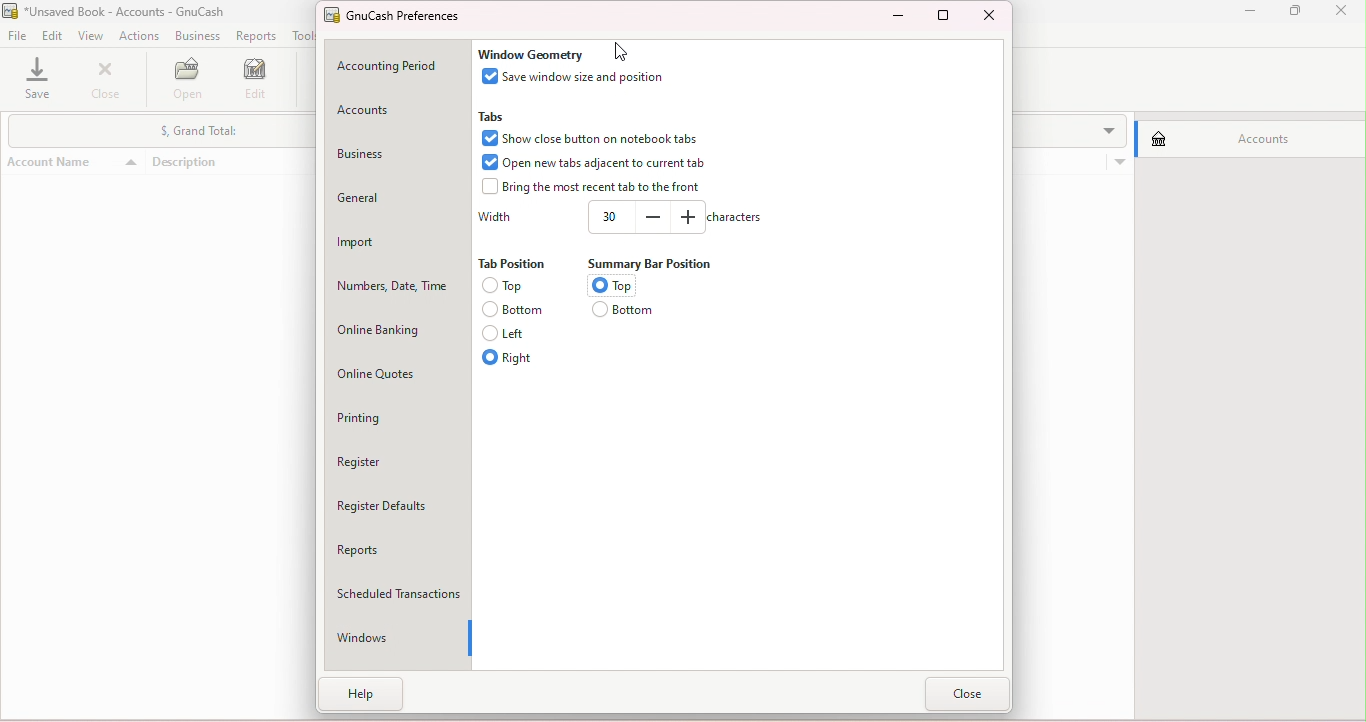 The height and width of the screenshot is (722, 1366). I want to click on Business, so click(394, 150).